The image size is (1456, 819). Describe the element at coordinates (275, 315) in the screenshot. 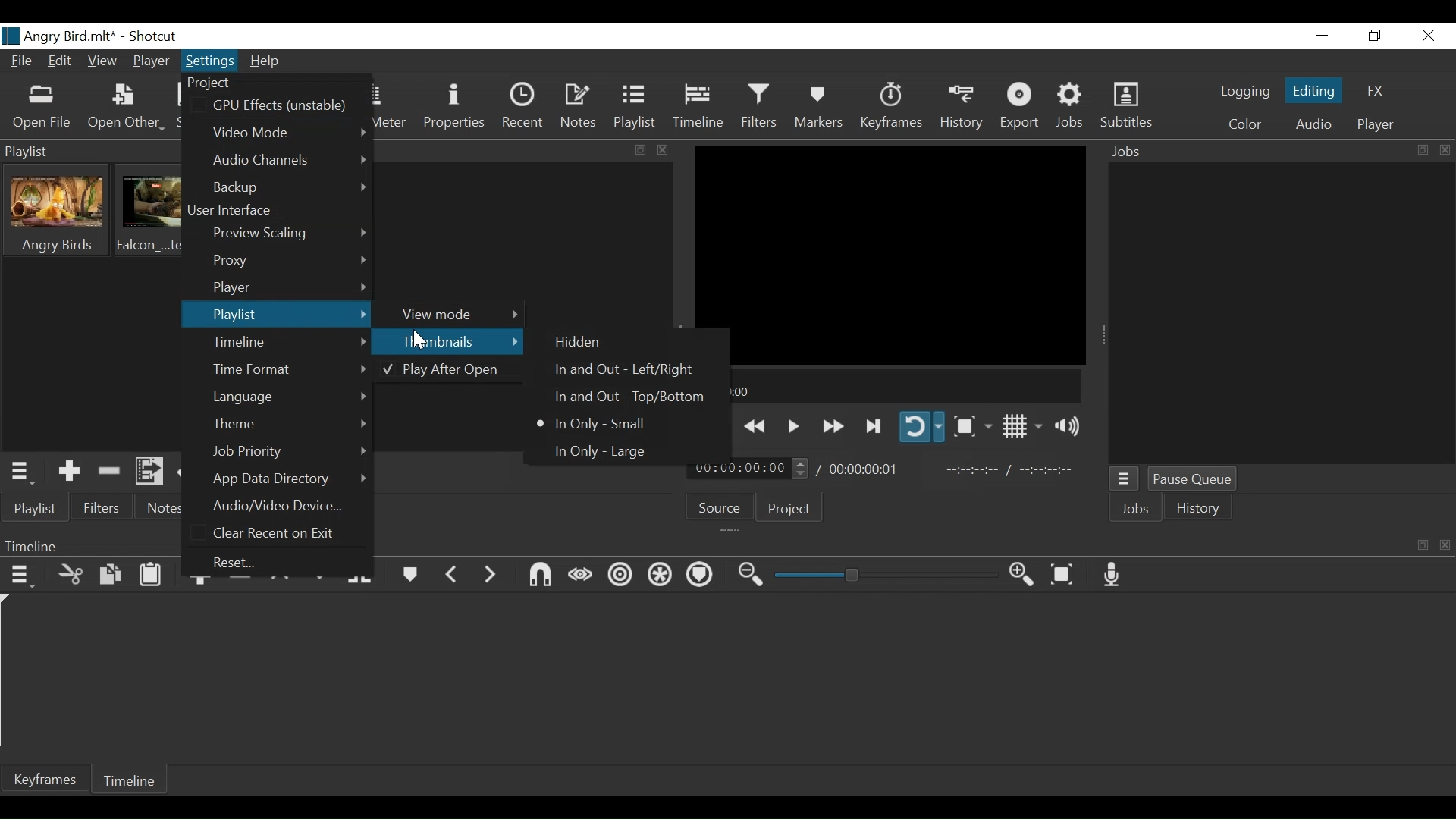

I see `Playlist` at that location.